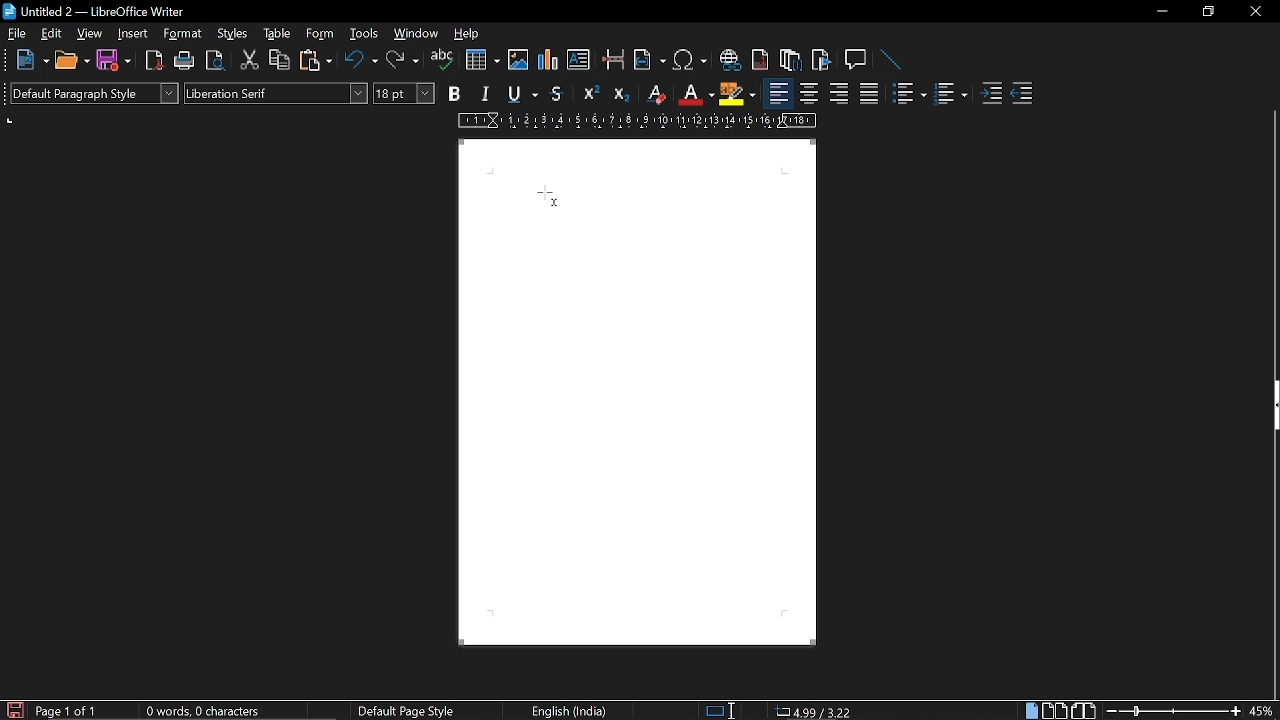  Describe the element at coordinates (15, 34) in the screenshot. I see `file` at that location.